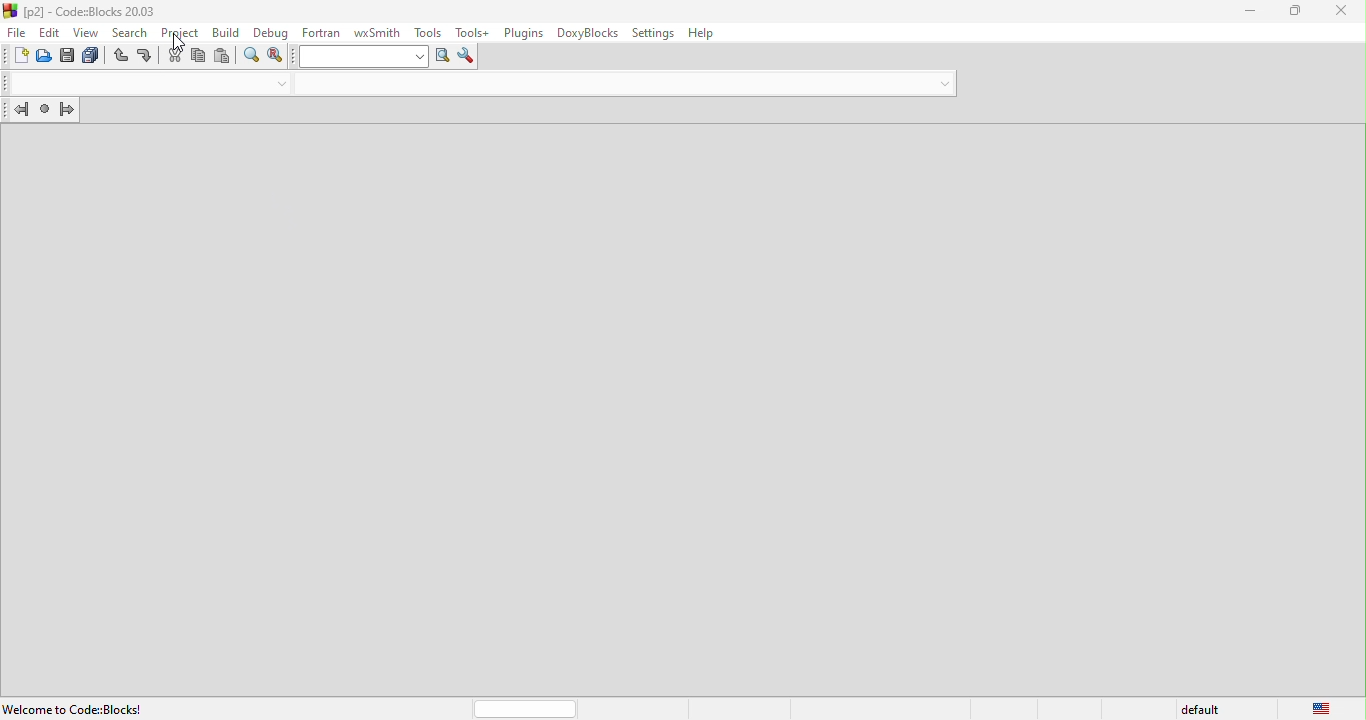 This screenshot has width=1366, height=720. What do you see at coordinates (279, 85) in the screenshot?
I see `drop down` at bounding box center [279, 85].